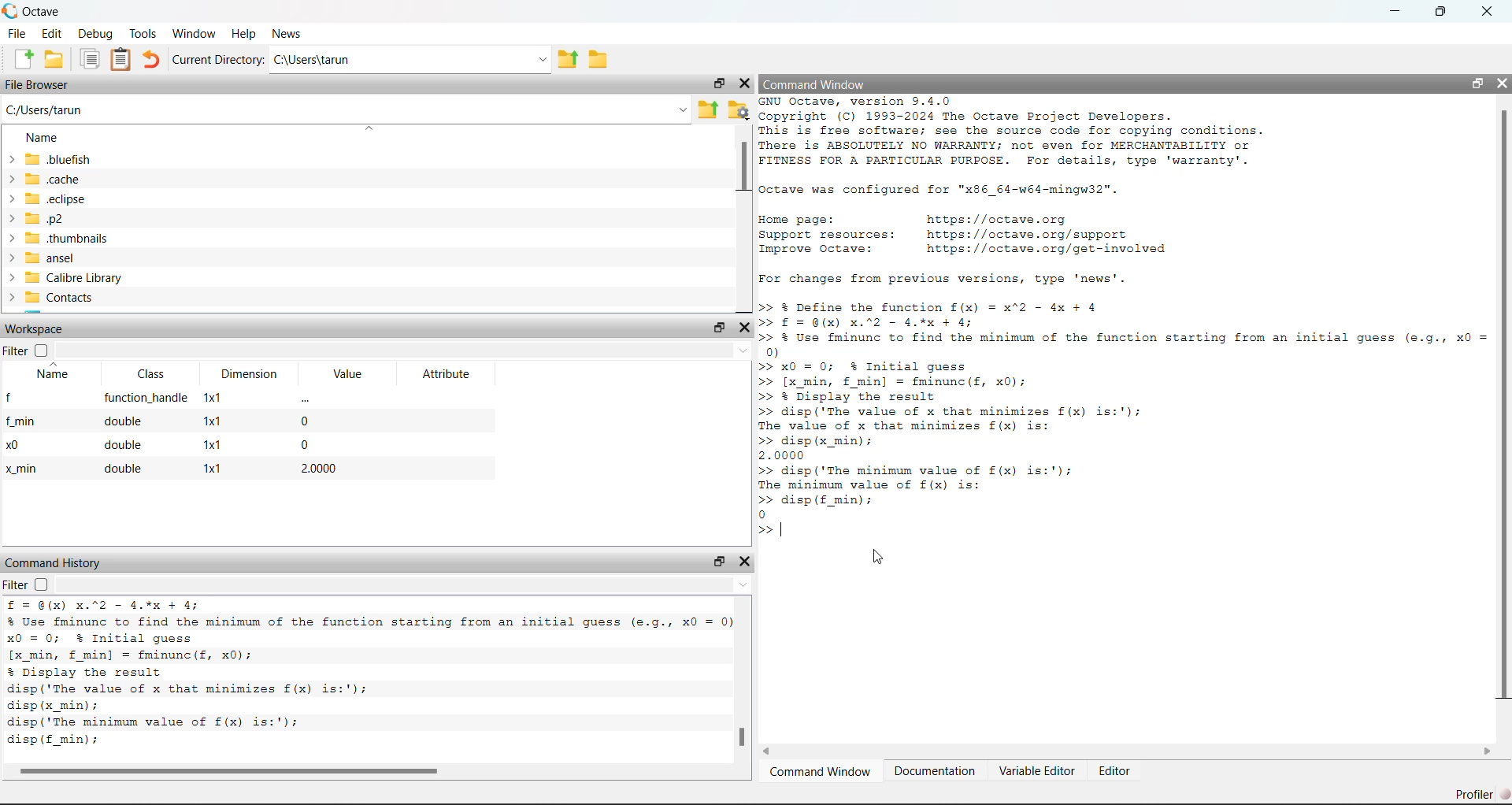 The width and height of the screenshot is (1512, 805). What do you see at coordinates (31, 584) in the screenshot?
I see `Filter` at bounding box center [31, 584].